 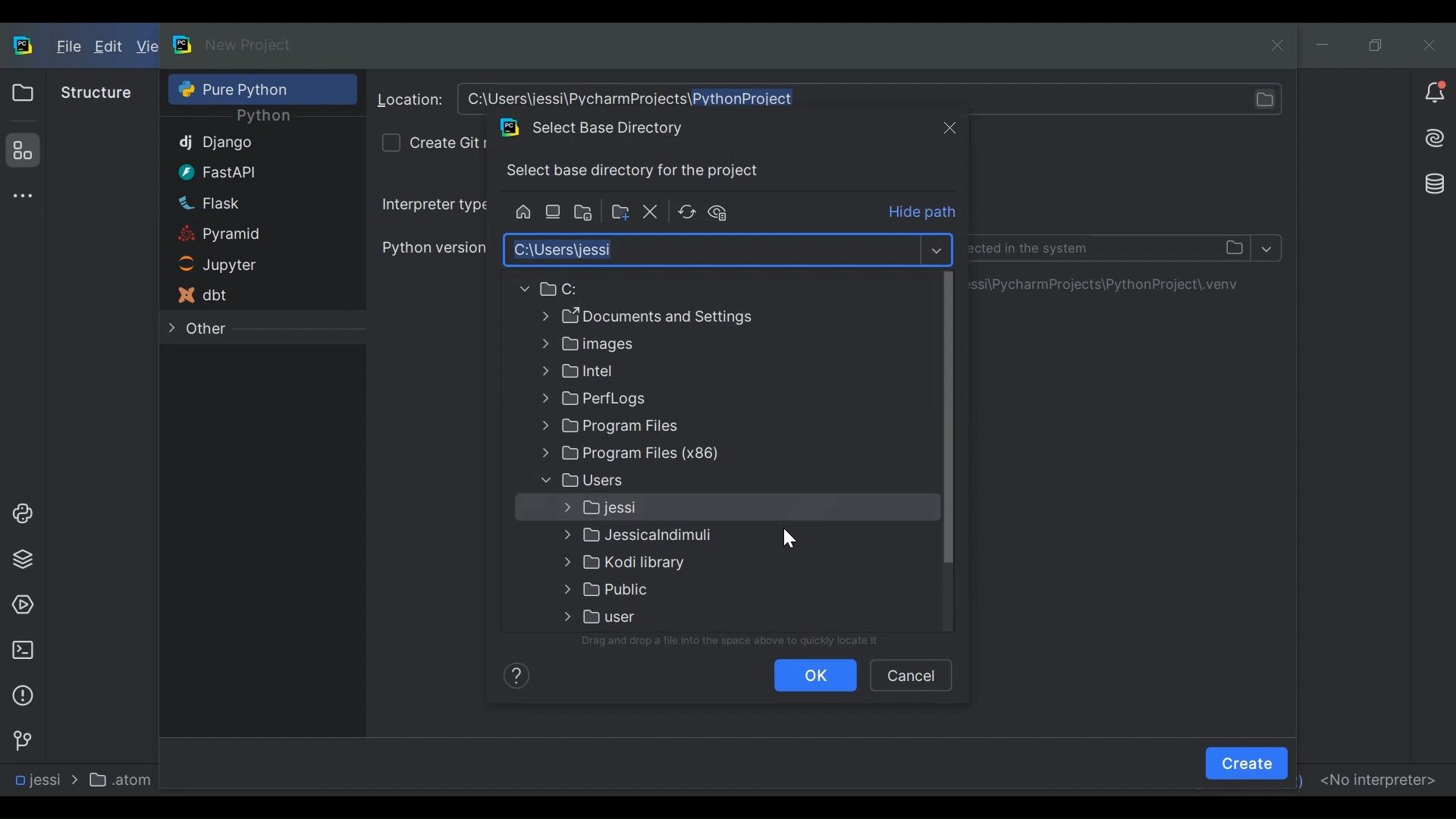 I want to click on AI Assistant, so click(x=1433, y=138).